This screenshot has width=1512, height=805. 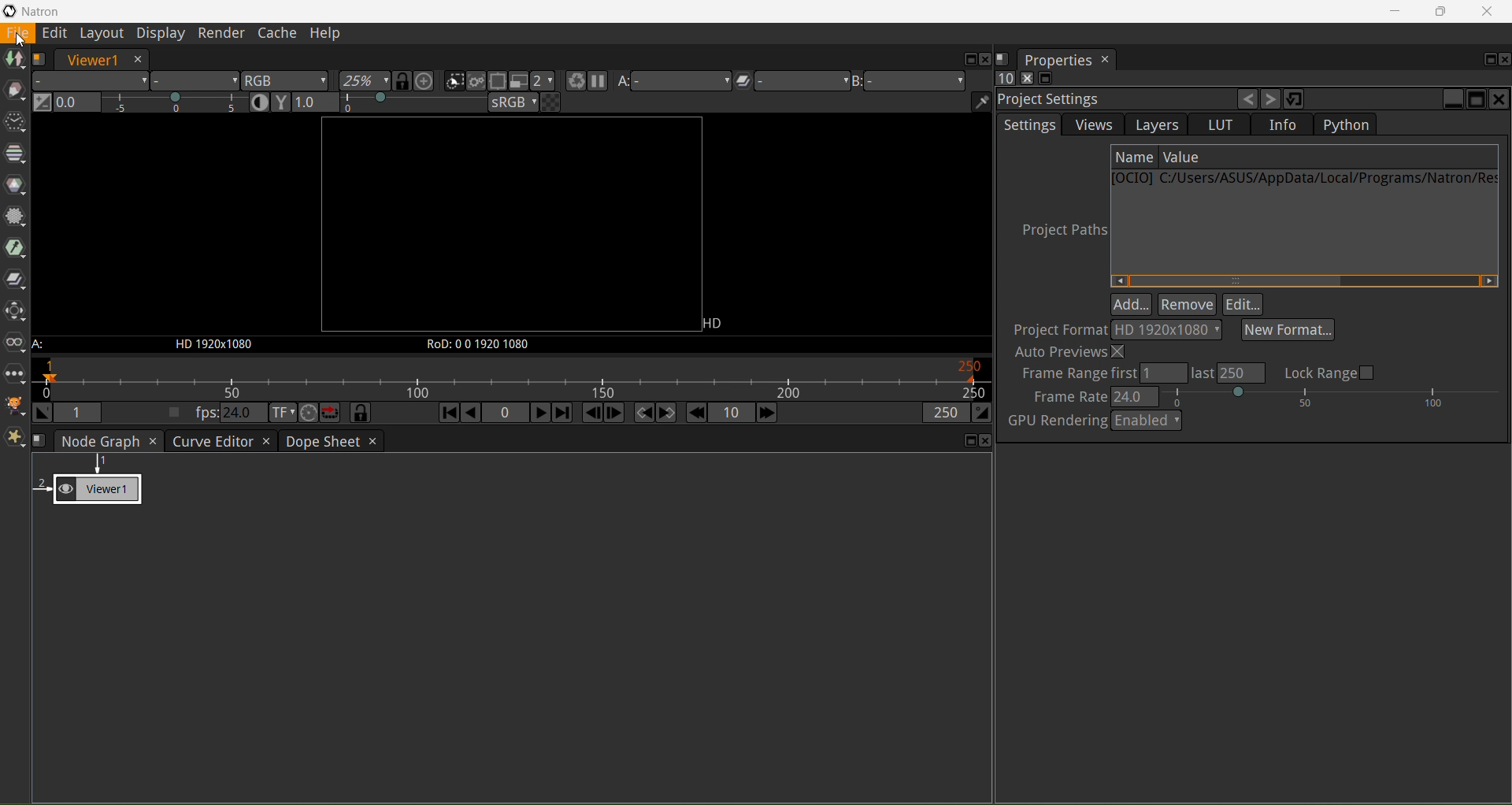 What do you see at coordinates (1061, 331) in the screenshot?
I see `Project Format` at bounding box center [1061, 331].